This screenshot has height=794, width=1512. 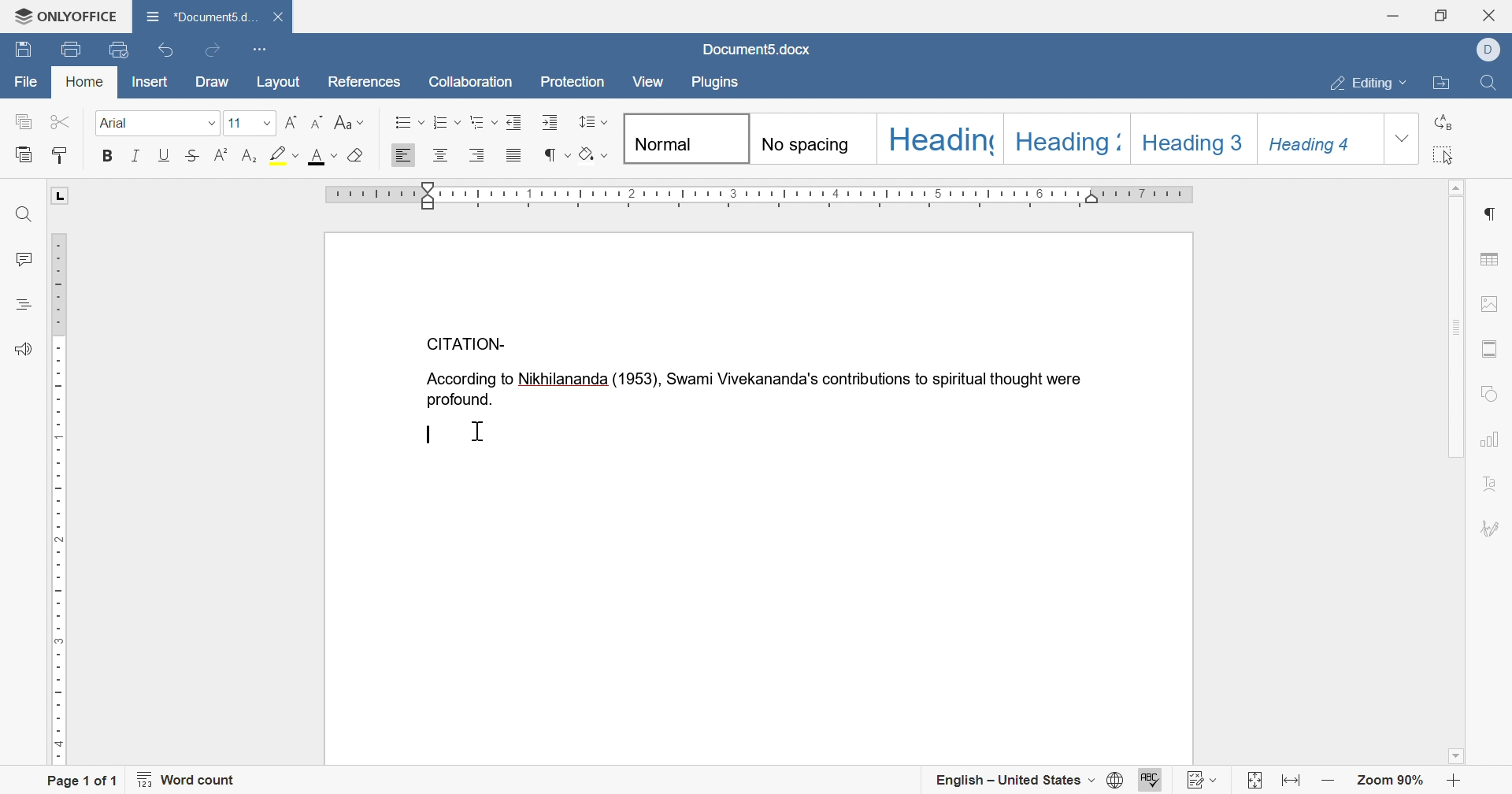 What do you see at coordinates (60, 196) in the screenshot?
I see `L` at bounding box center [60, 196].